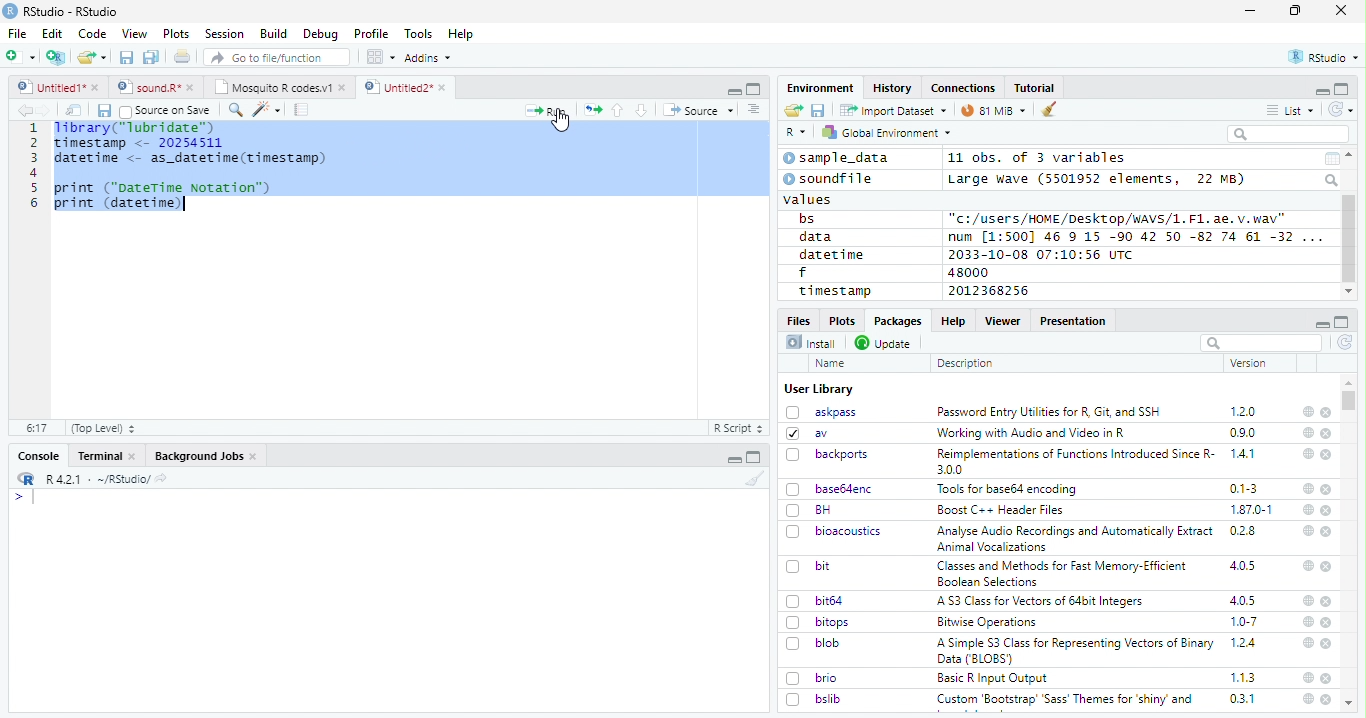 The width and height of the screenshot is (1366, 718). What do you see at coordinates (619, 110) in the screenshot?
I see `Go to previous section` at bounding box center [619, 110].